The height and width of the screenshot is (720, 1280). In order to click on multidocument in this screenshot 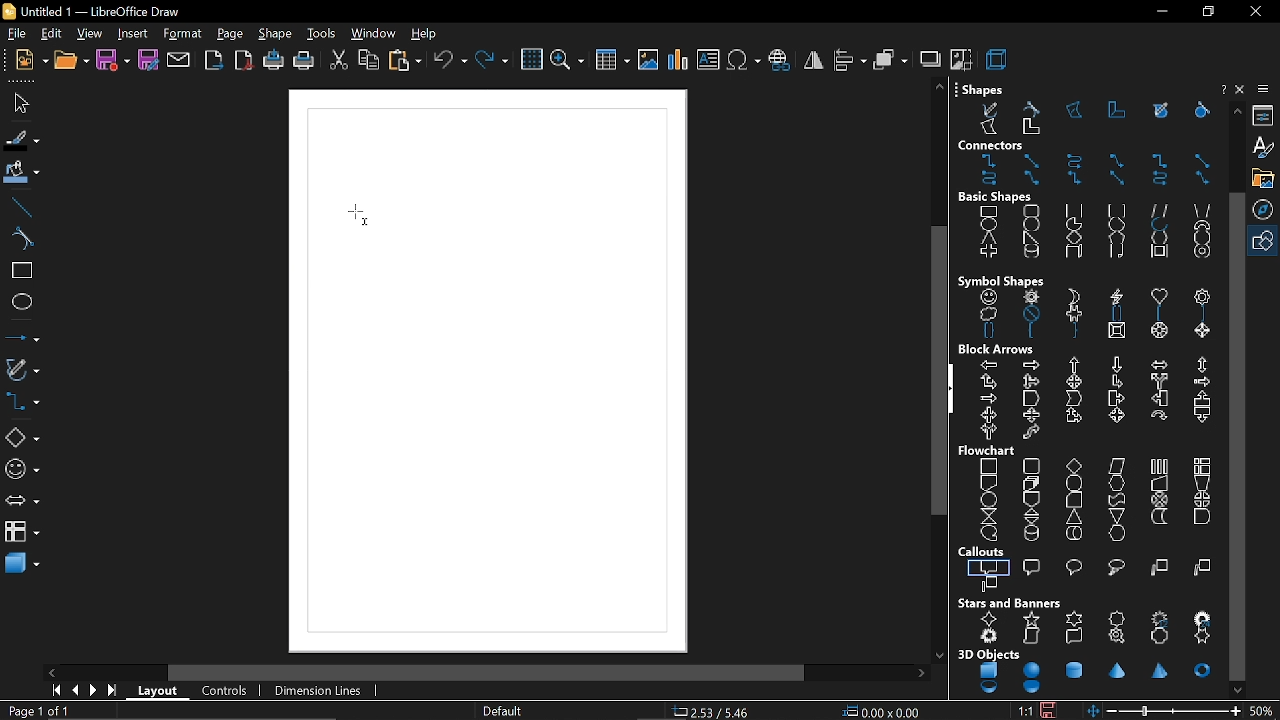, I will do `click(1030, 482)`.